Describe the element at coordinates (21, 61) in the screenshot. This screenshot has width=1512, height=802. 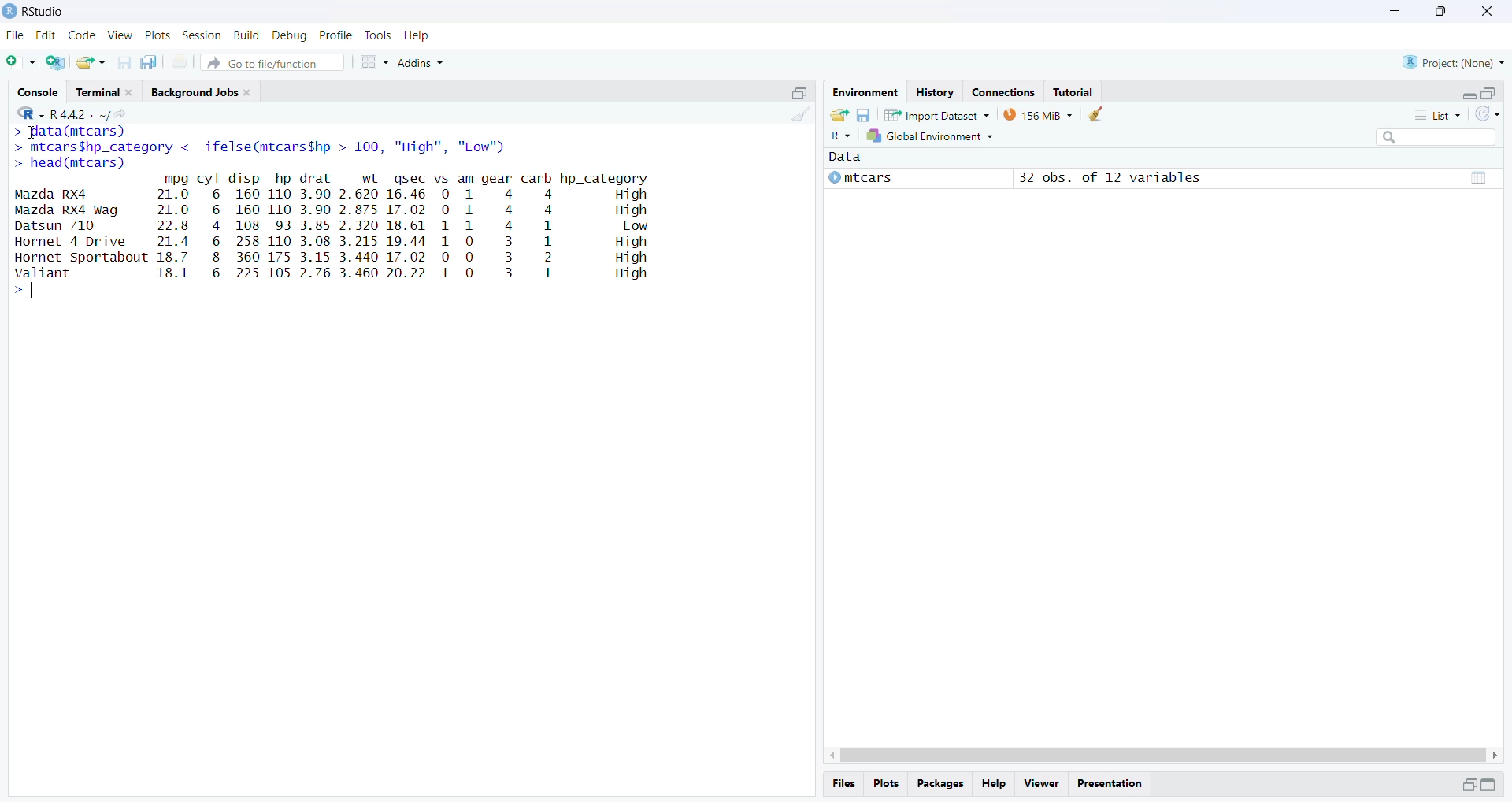
I see `New File` at that location.